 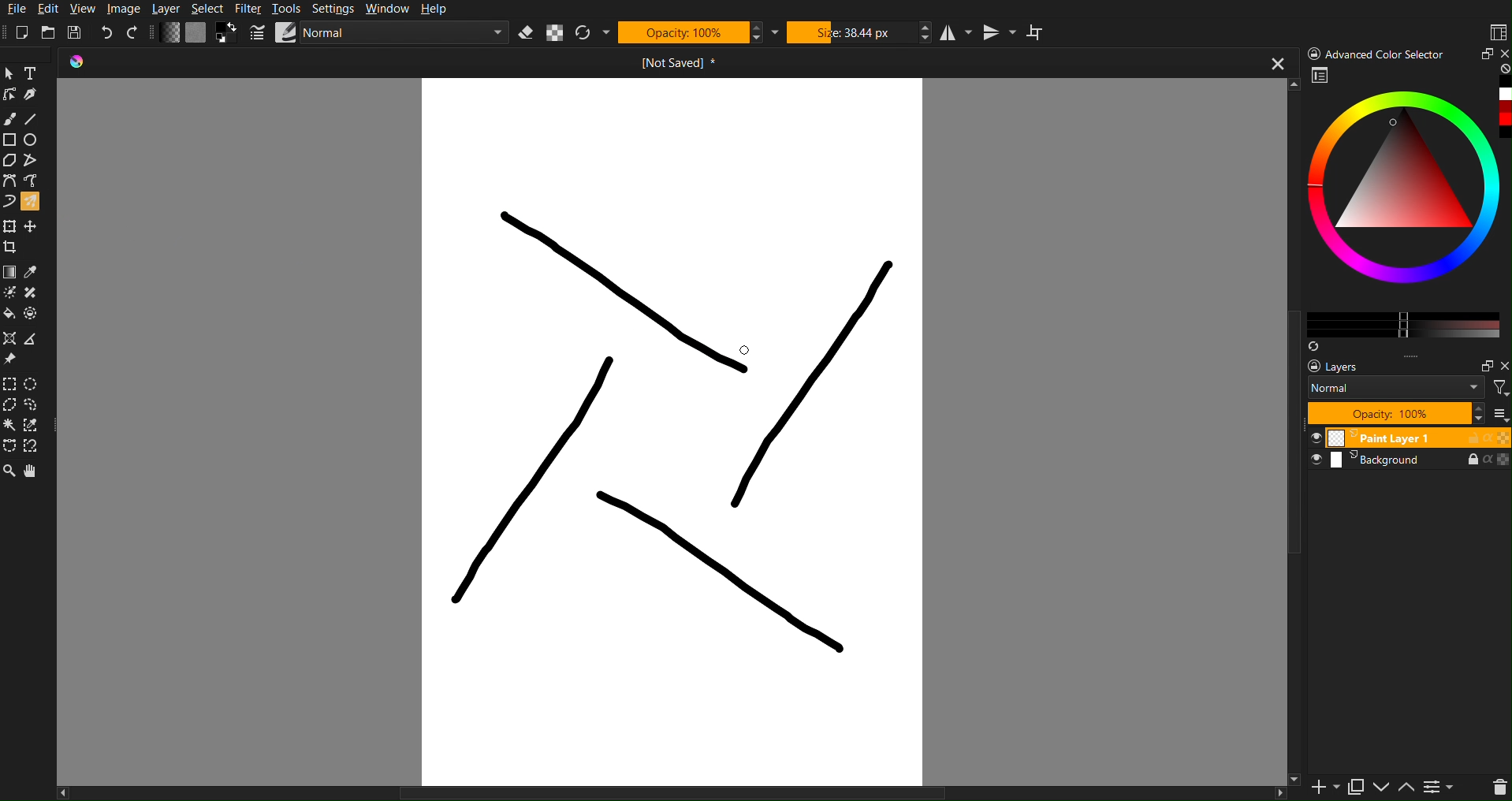 What do you see at coordinates (1412, 464) in the screenshot?
I see `background` at bounding box center [1412, 464].